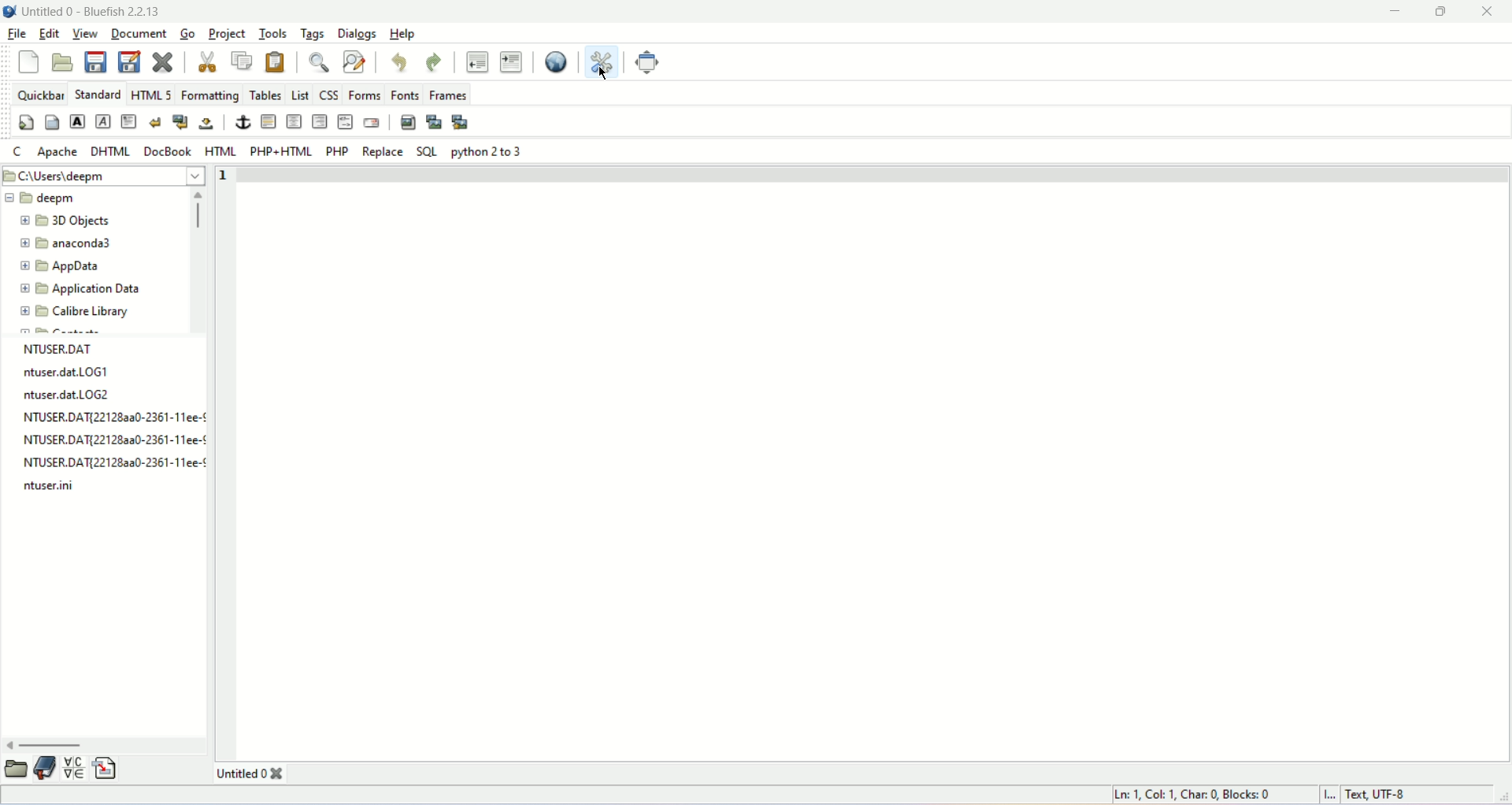 The width and height of the screenshot is (1512, 805). Describe the element at coordinates (447, 95) in the screenshot. I see `frames` at that location.